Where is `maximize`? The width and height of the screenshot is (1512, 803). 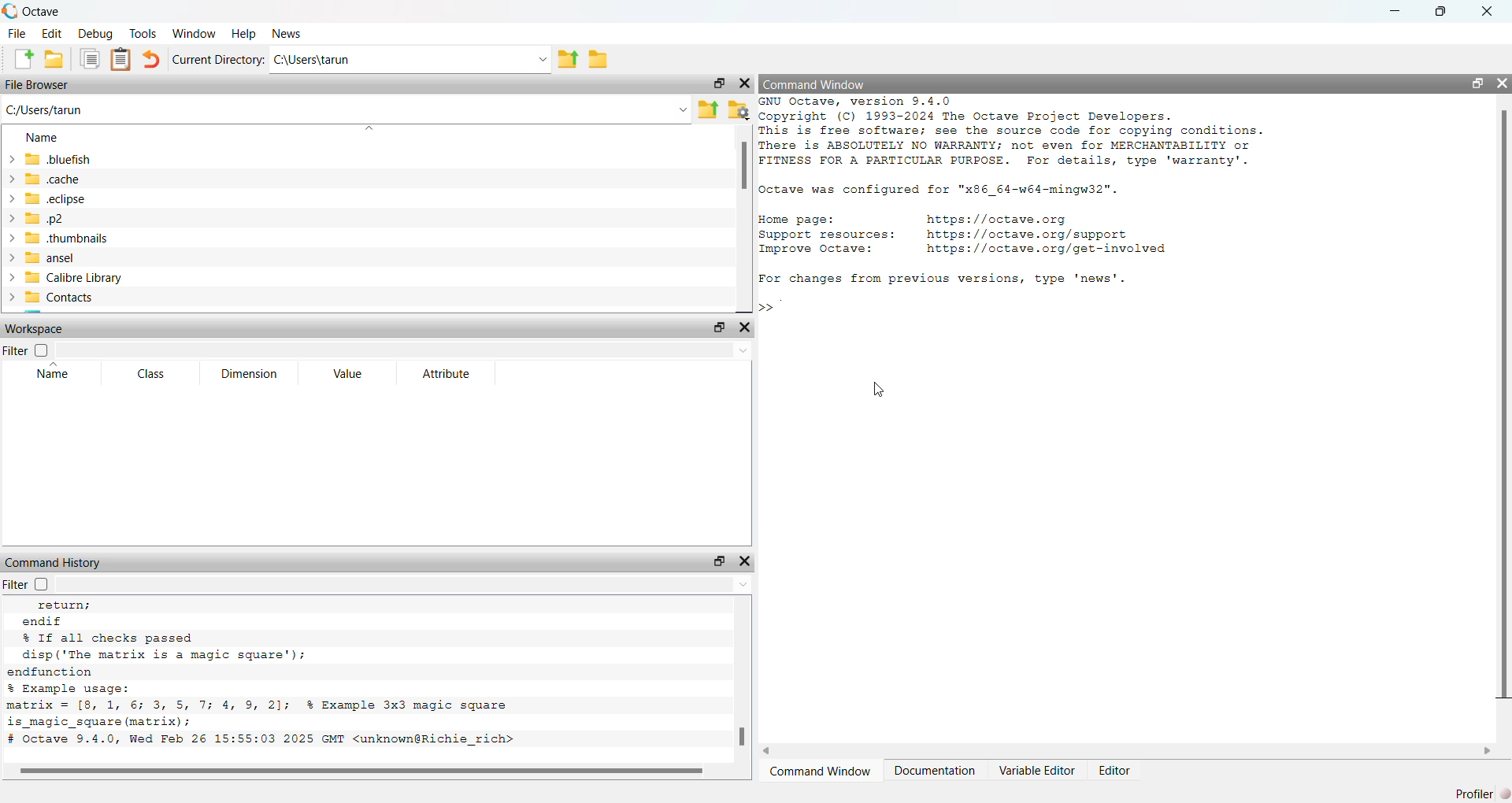 maximize is located at coordinates (719, 562).